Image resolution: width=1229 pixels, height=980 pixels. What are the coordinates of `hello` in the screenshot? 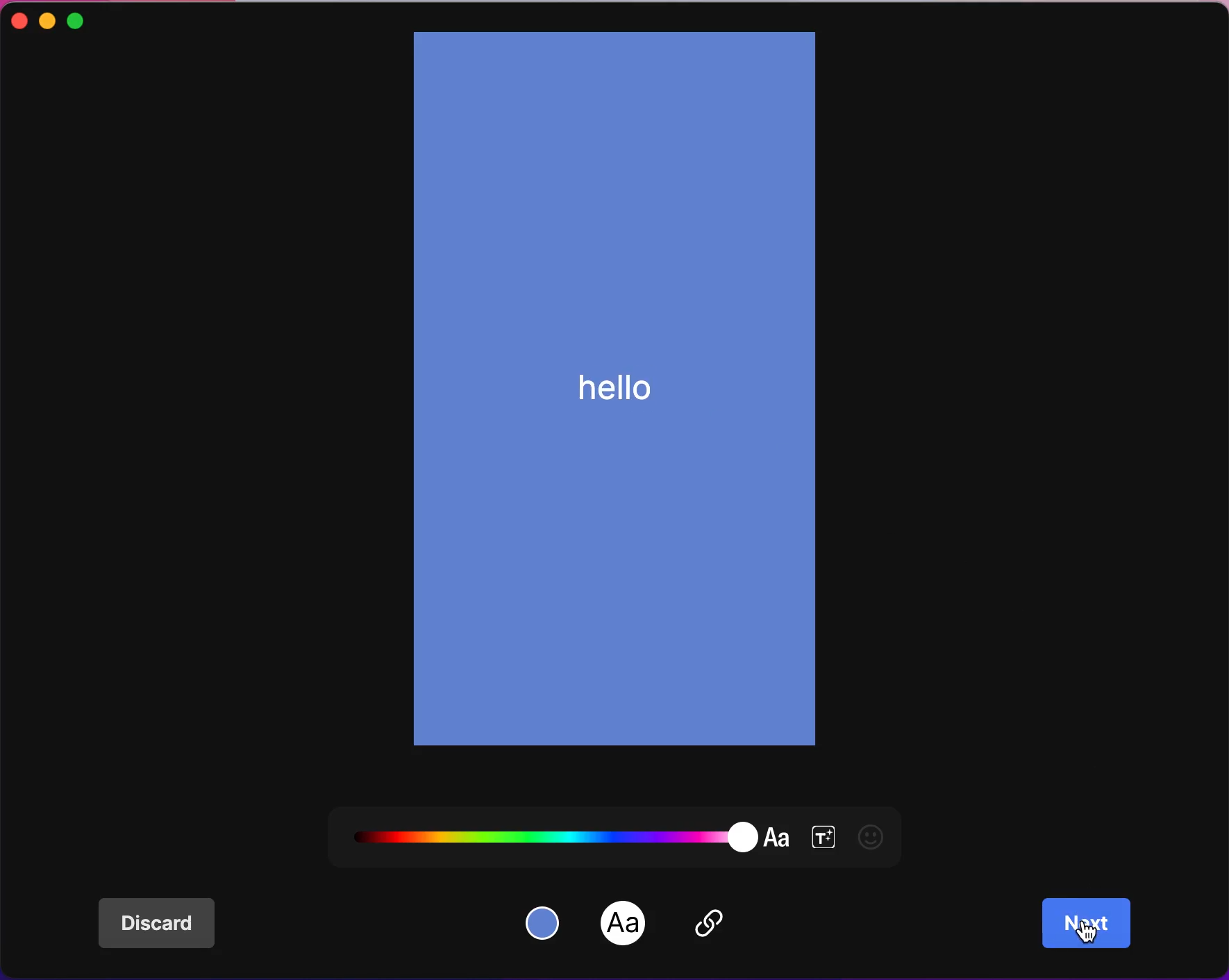 It's located at (619, 380).